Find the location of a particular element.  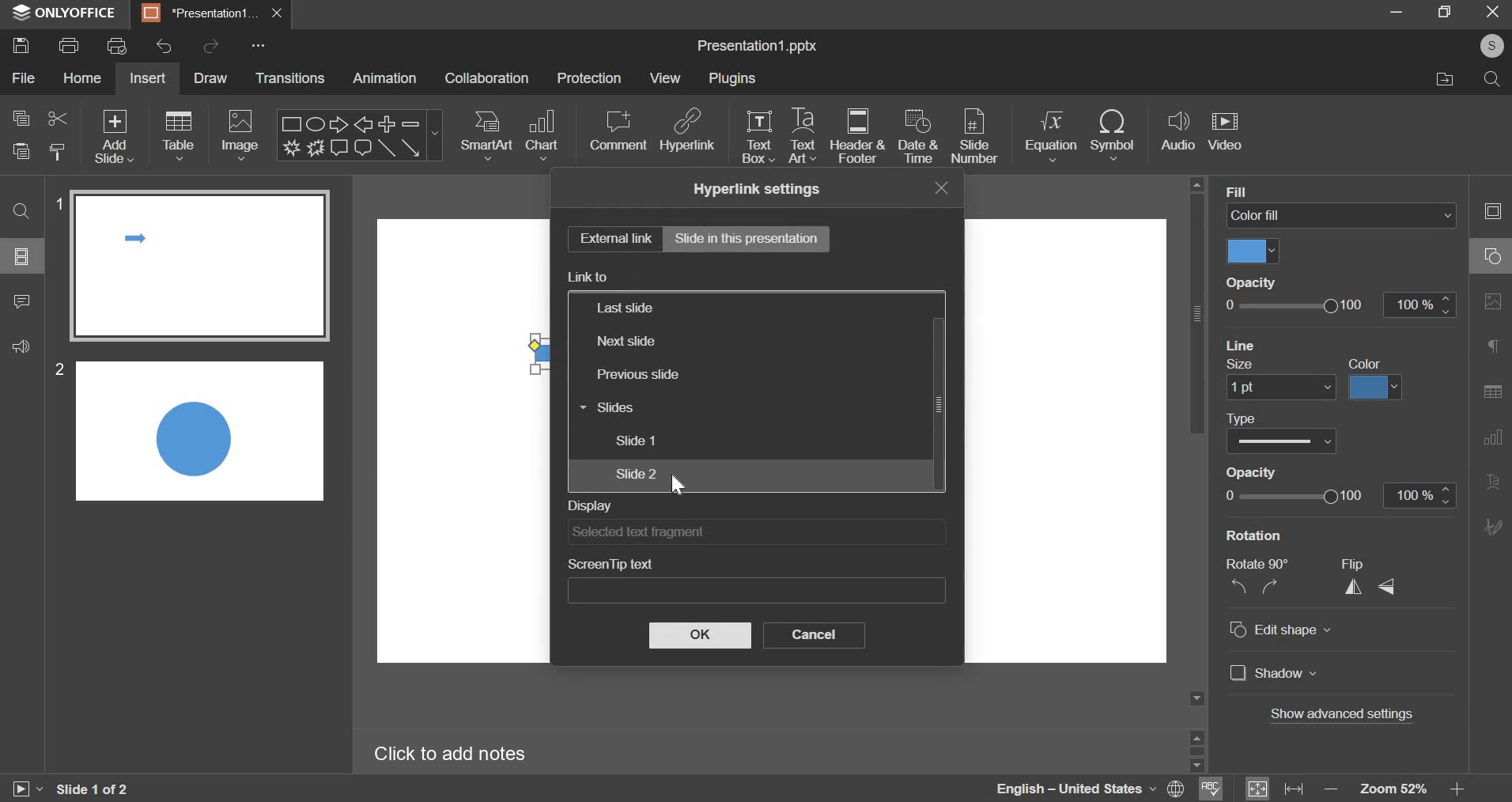

selected text fragment is located at coordinates (695, 532).